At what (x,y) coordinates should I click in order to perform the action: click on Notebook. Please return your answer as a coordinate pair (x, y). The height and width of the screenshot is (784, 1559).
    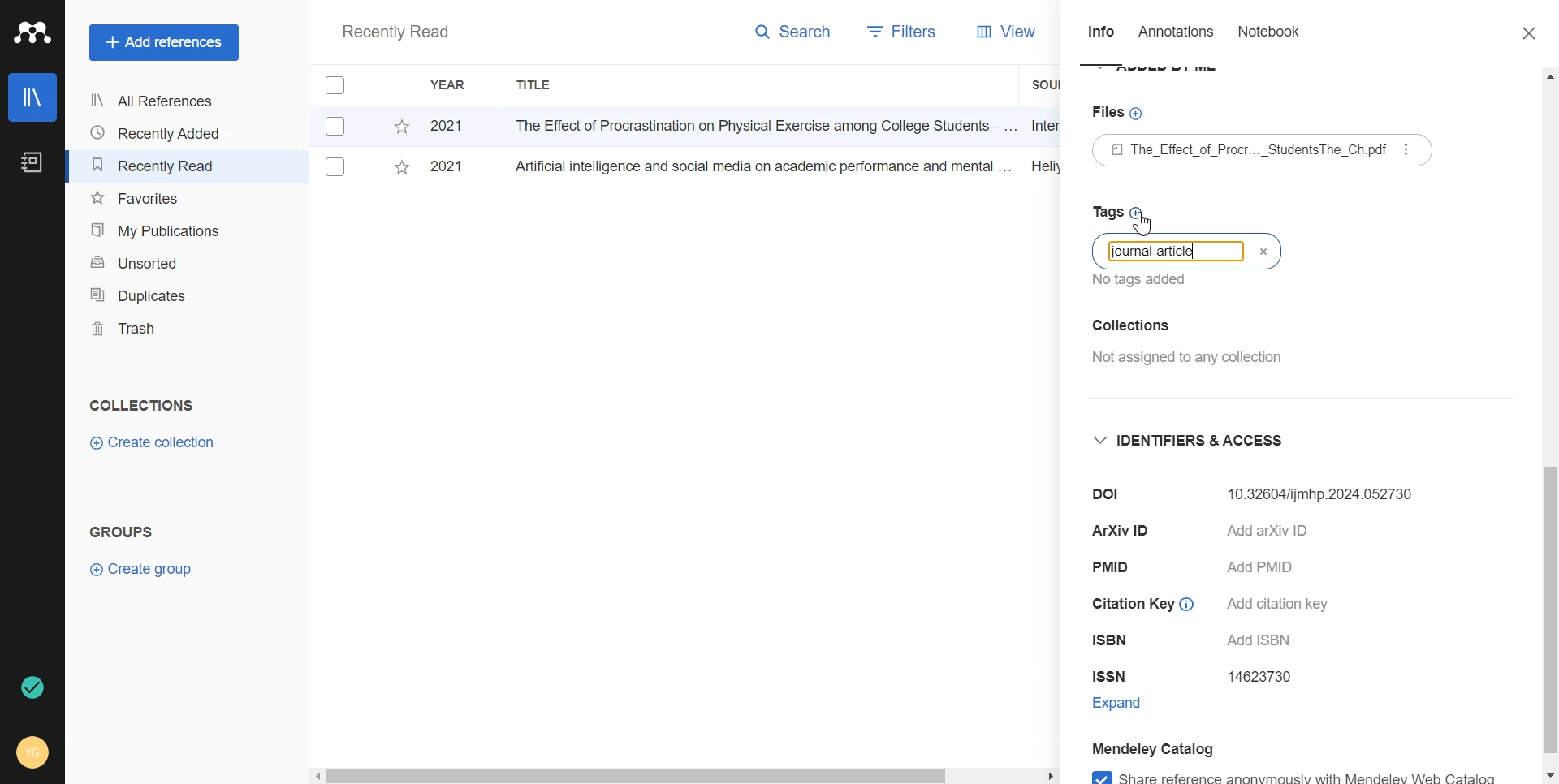
    Looking at the image, I should click on (30, 163).